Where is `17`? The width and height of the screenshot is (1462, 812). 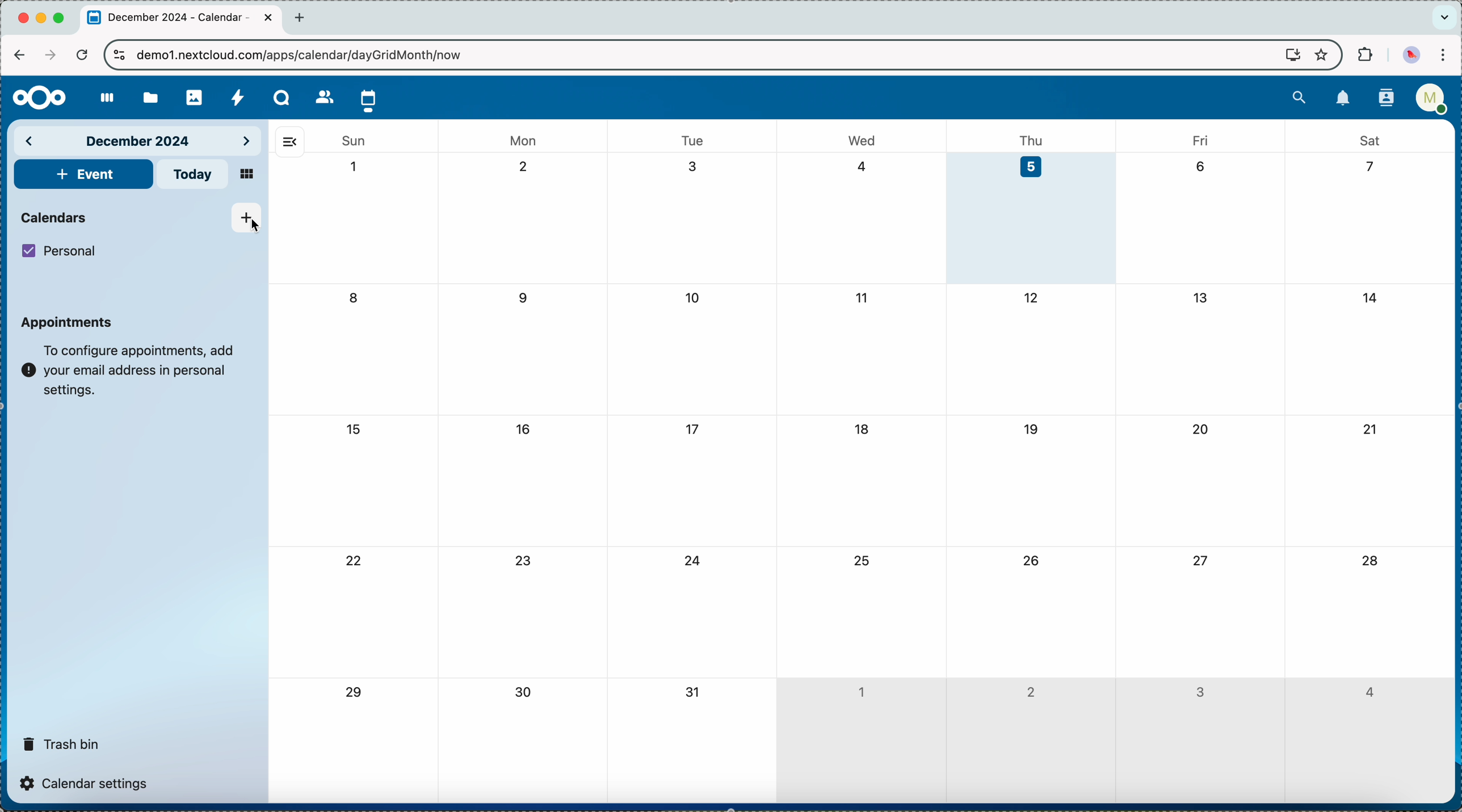
17 is located at coordinates (694, 430).